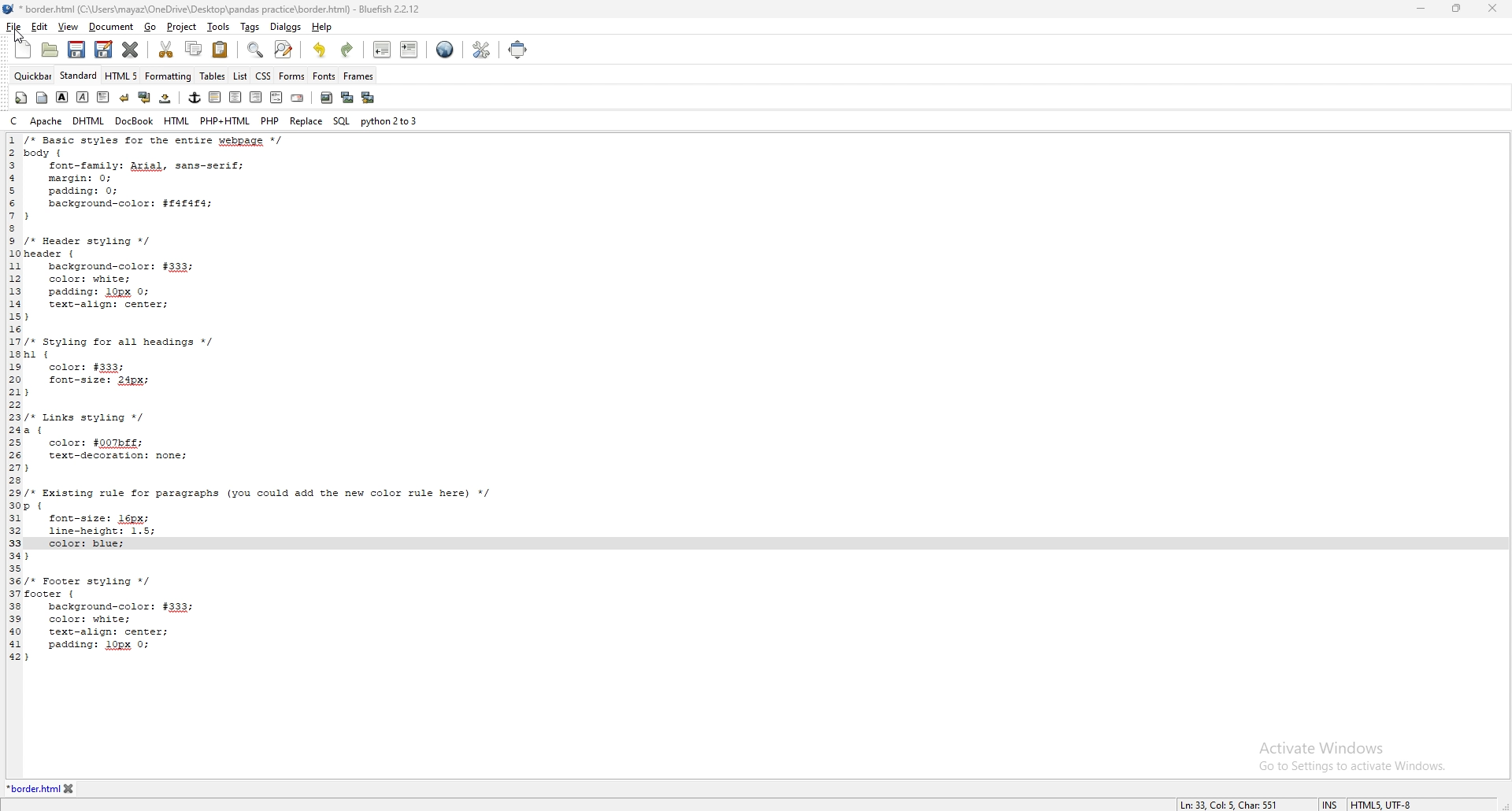 This screenshot has width=1512, height=811. What do you see at coordinates (21, 98) in the screenshot?
I see `quickstart` at bounding box center [21, 98].